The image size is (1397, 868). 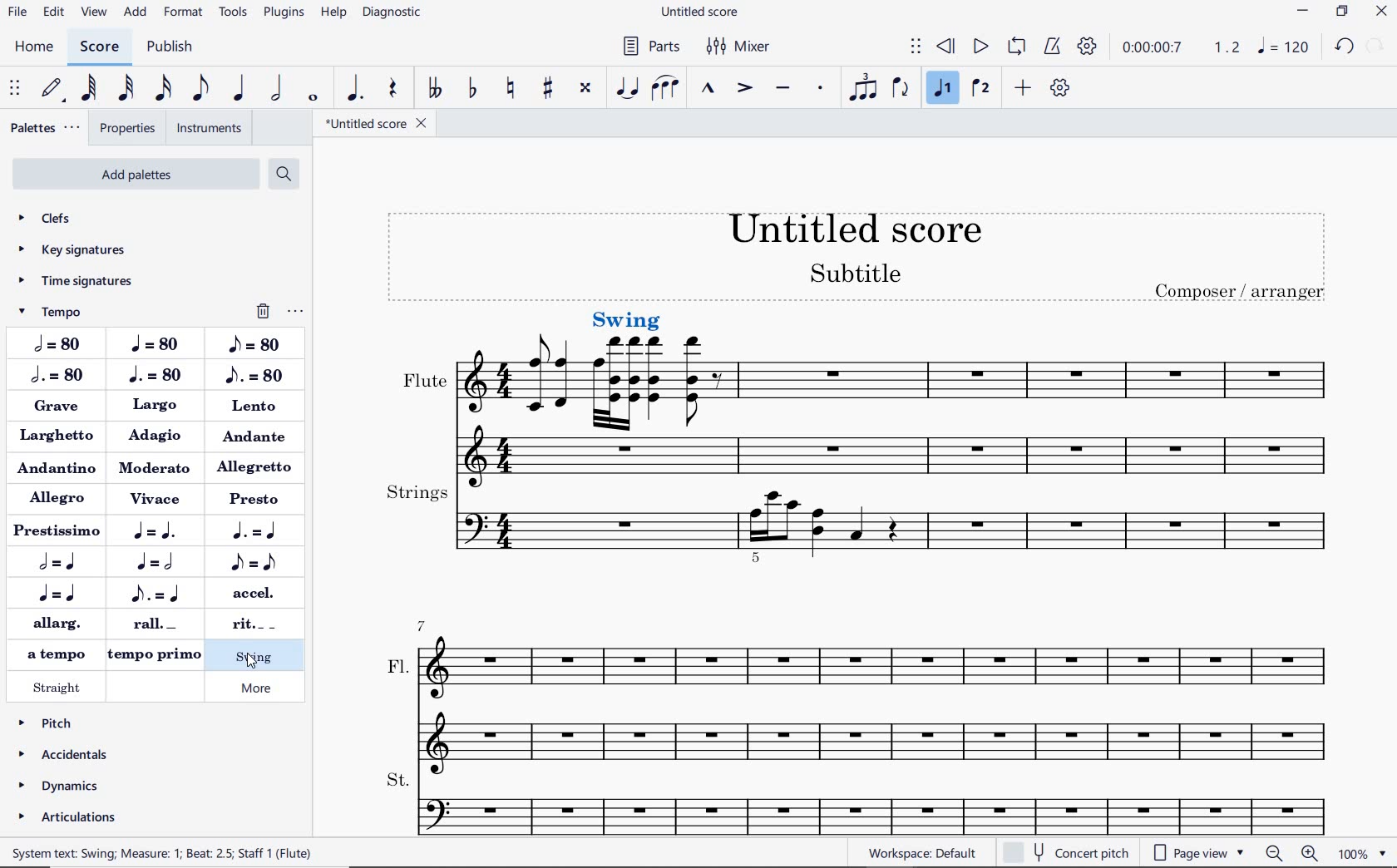 I want to click on TUPLET, so click(x=865, y=89).